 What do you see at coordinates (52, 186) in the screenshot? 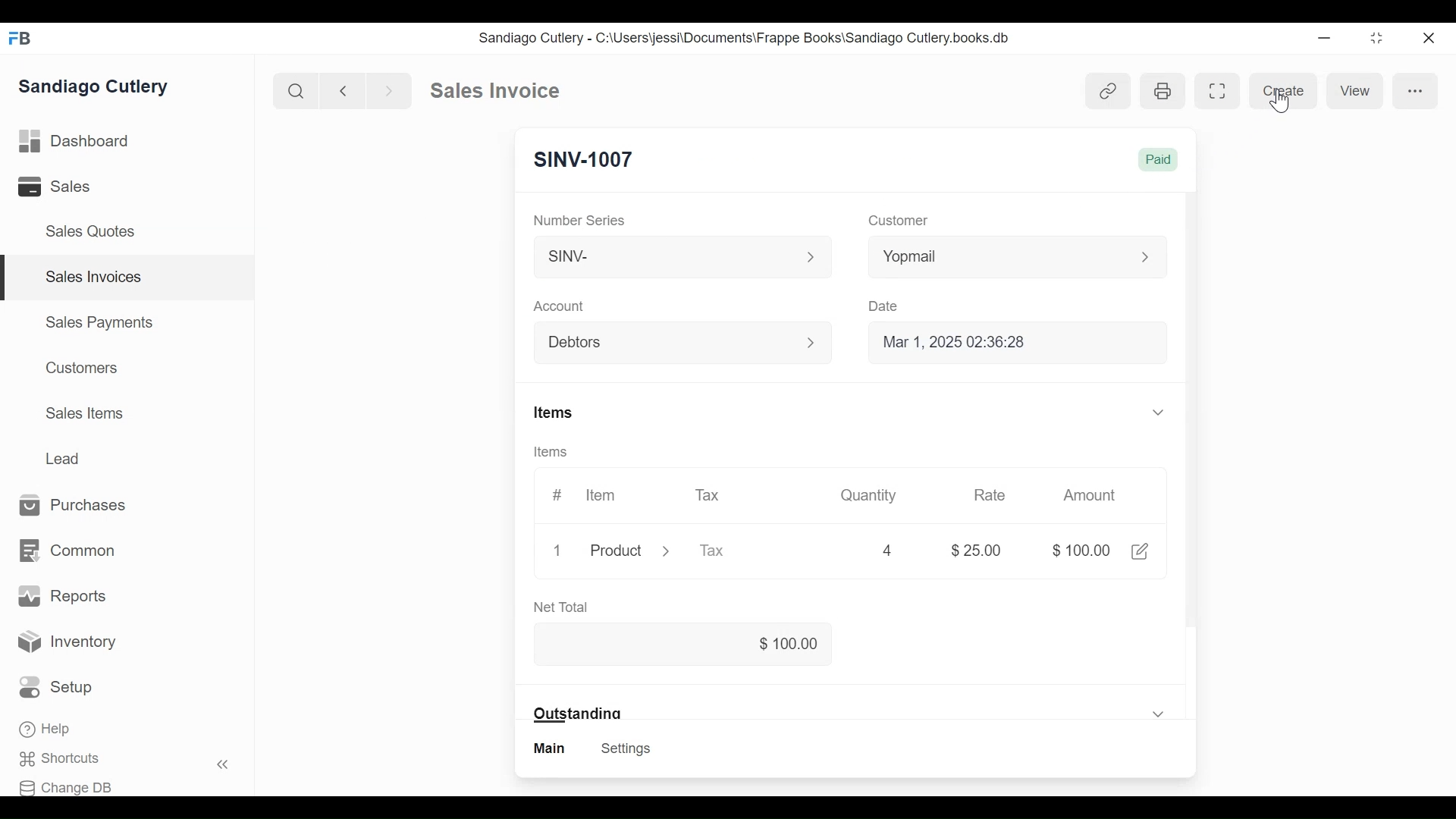
I see ` Sales` at bounding box center [52, 186].